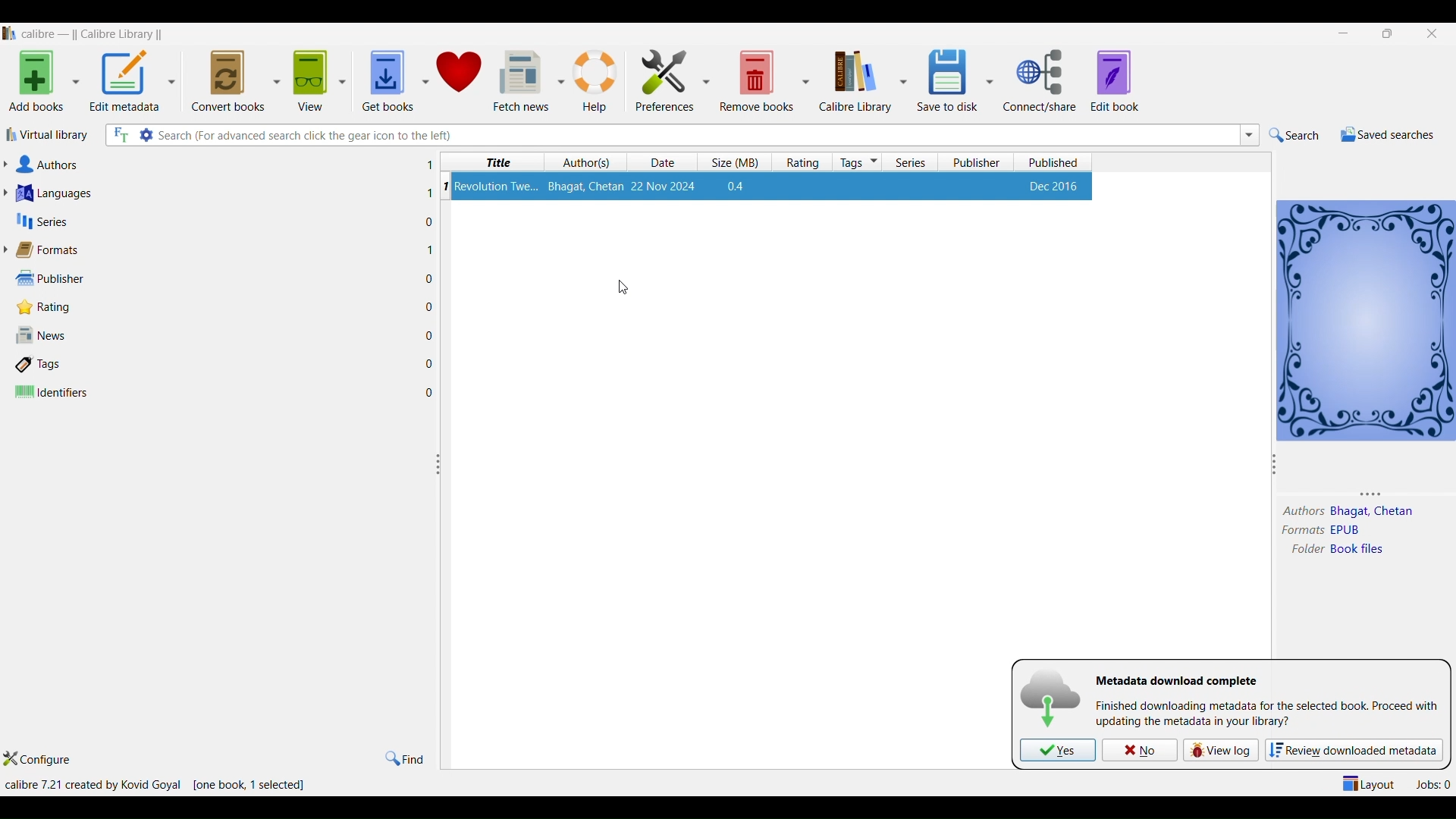  Describe the element at coordinates (1349, 530) in the screenshot. I see `format type` at that location.